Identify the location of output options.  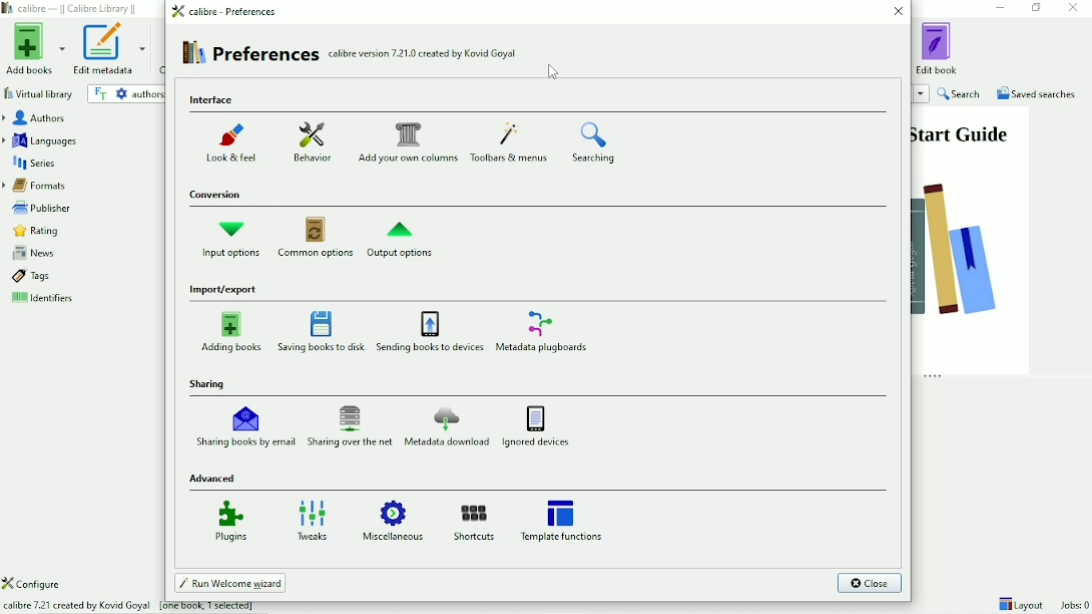
(407, 239).